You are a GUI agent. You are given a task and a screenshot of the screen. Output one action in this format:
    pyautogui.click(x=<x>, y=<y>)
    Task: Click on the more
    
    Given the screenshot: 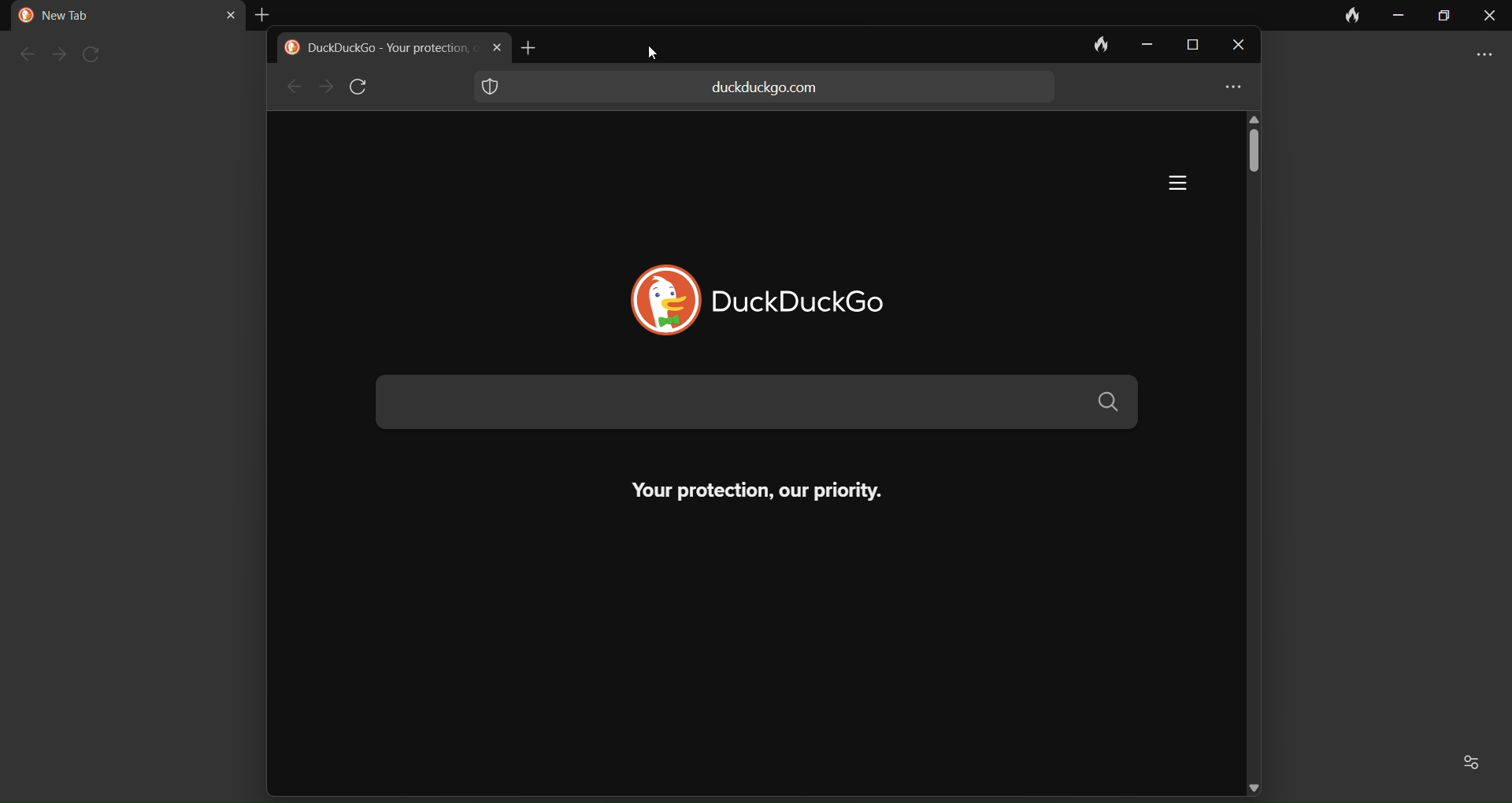 What is the action you would take?
    pyautogui.click(x=1487, y=54)
    